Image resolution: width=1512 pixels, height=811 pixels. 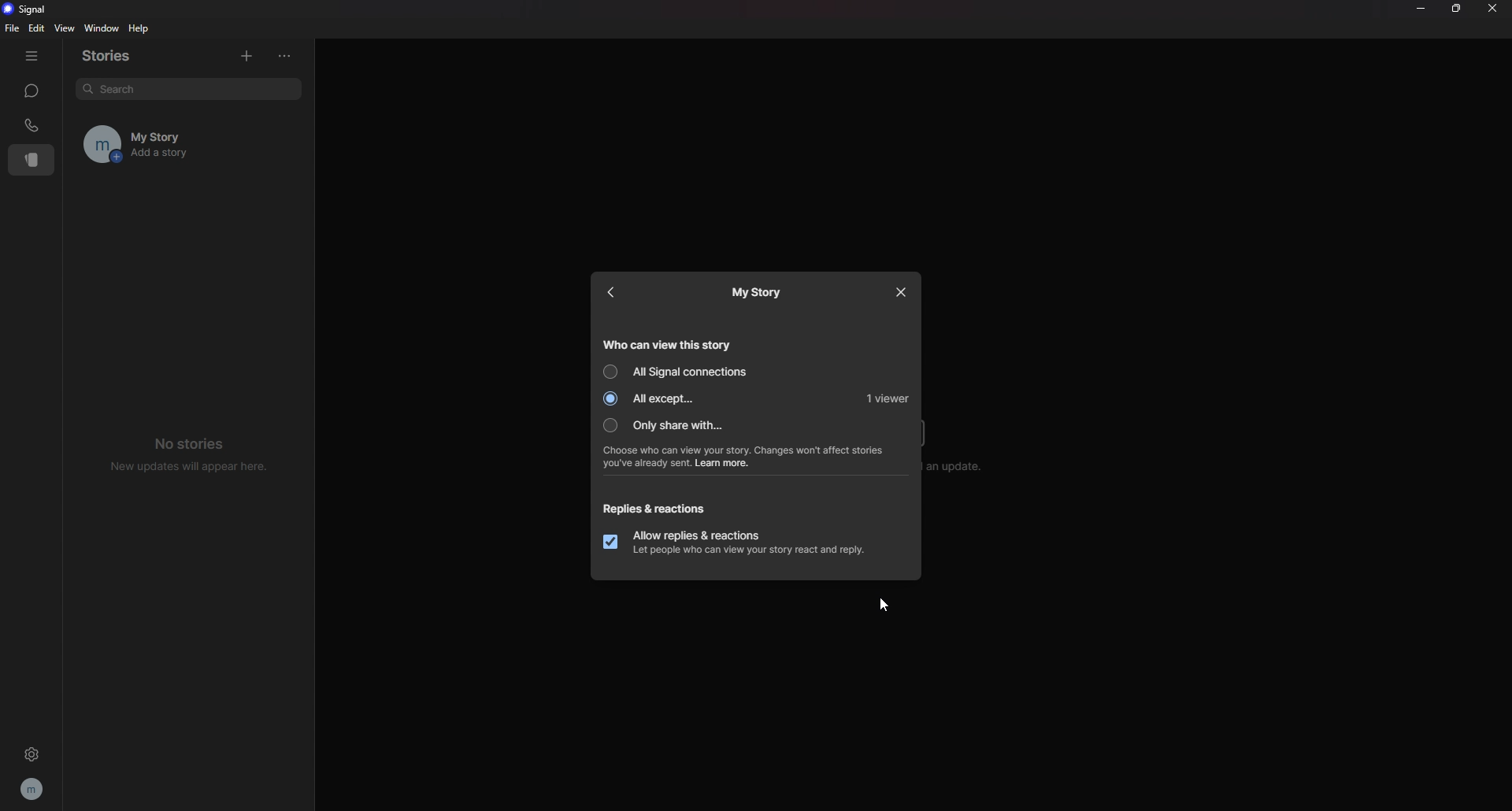 I want to click on settings, so click(x=31, y=754).